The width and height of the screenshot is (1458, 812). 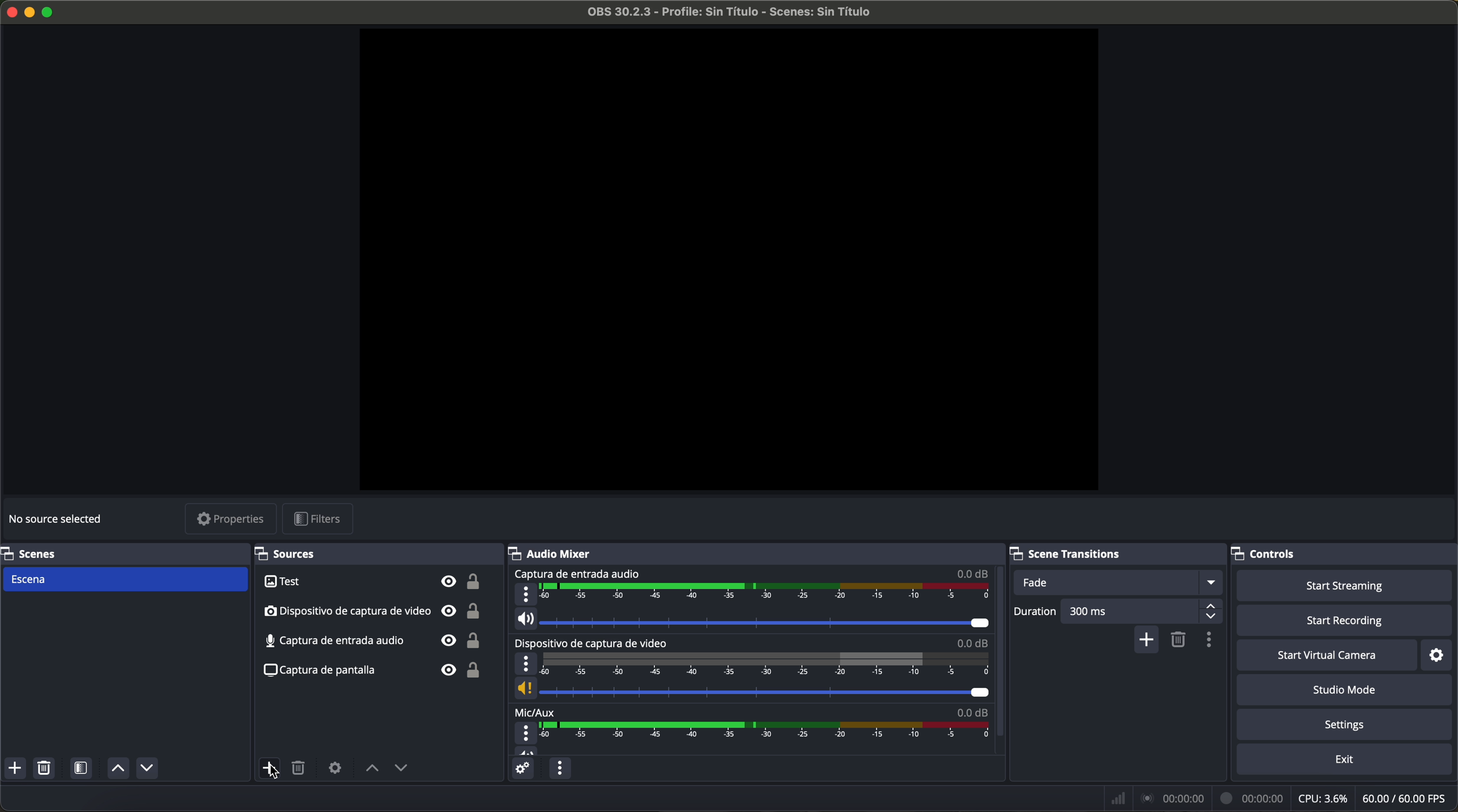 What do you see at coordinates (729, 12) in the screenshot?
I see `file name` at bounding box center [729, 12].